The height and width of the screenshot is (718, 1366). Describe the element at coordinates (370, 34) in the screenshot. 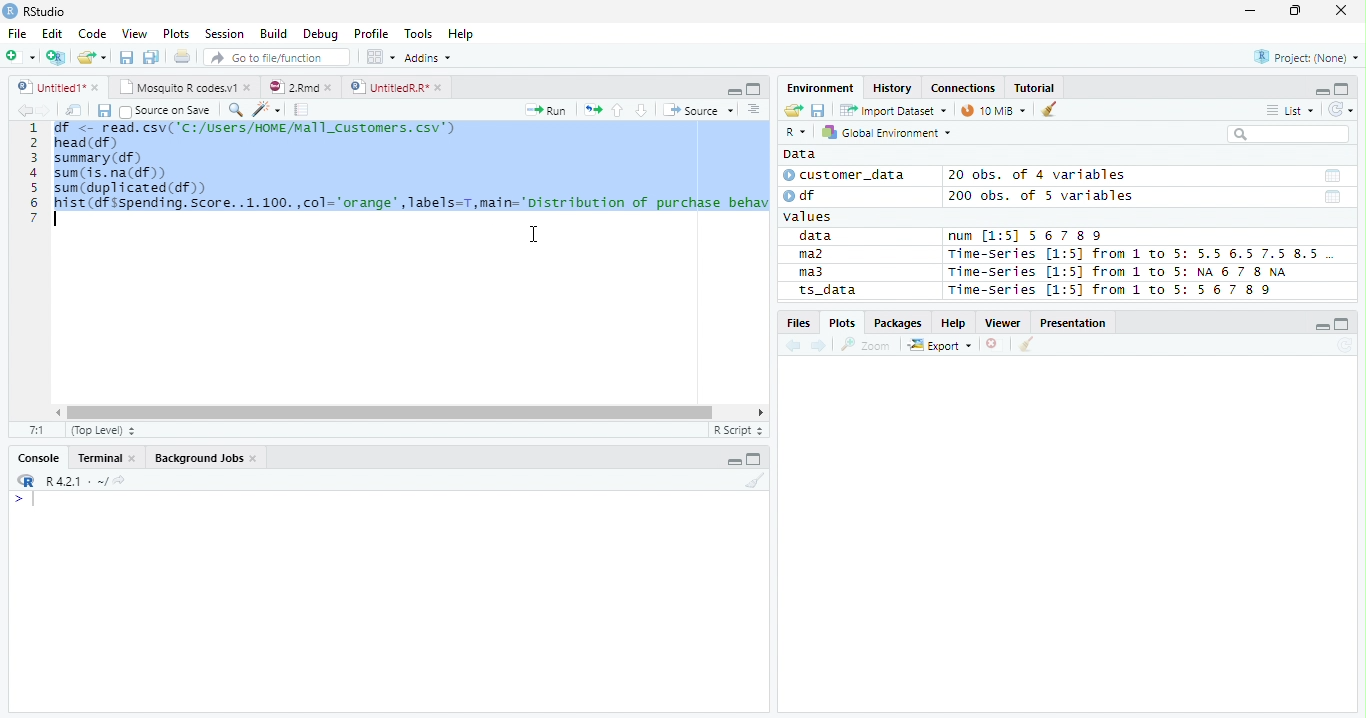

I see `Profile` at that location.